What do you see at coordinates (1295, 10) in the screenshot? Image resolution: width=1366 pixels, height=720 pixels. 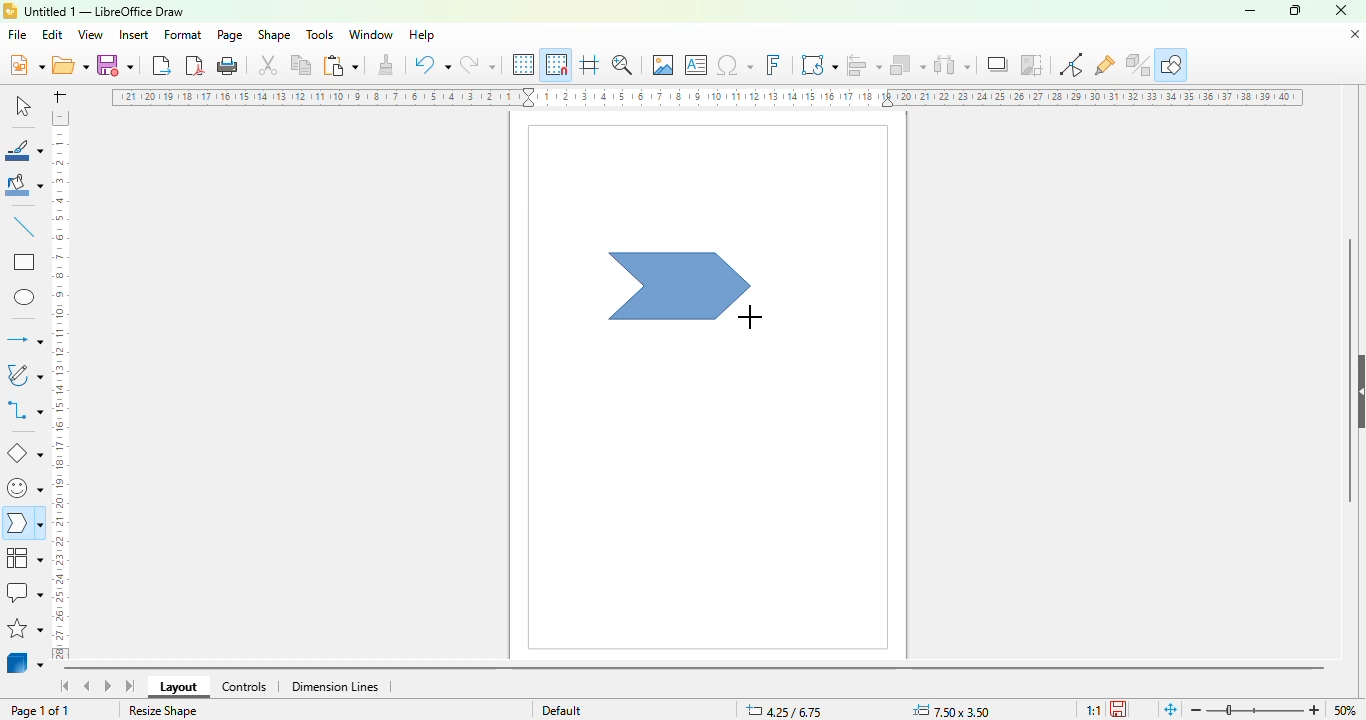 I see `maximize` at bounding box center [1295, 10].